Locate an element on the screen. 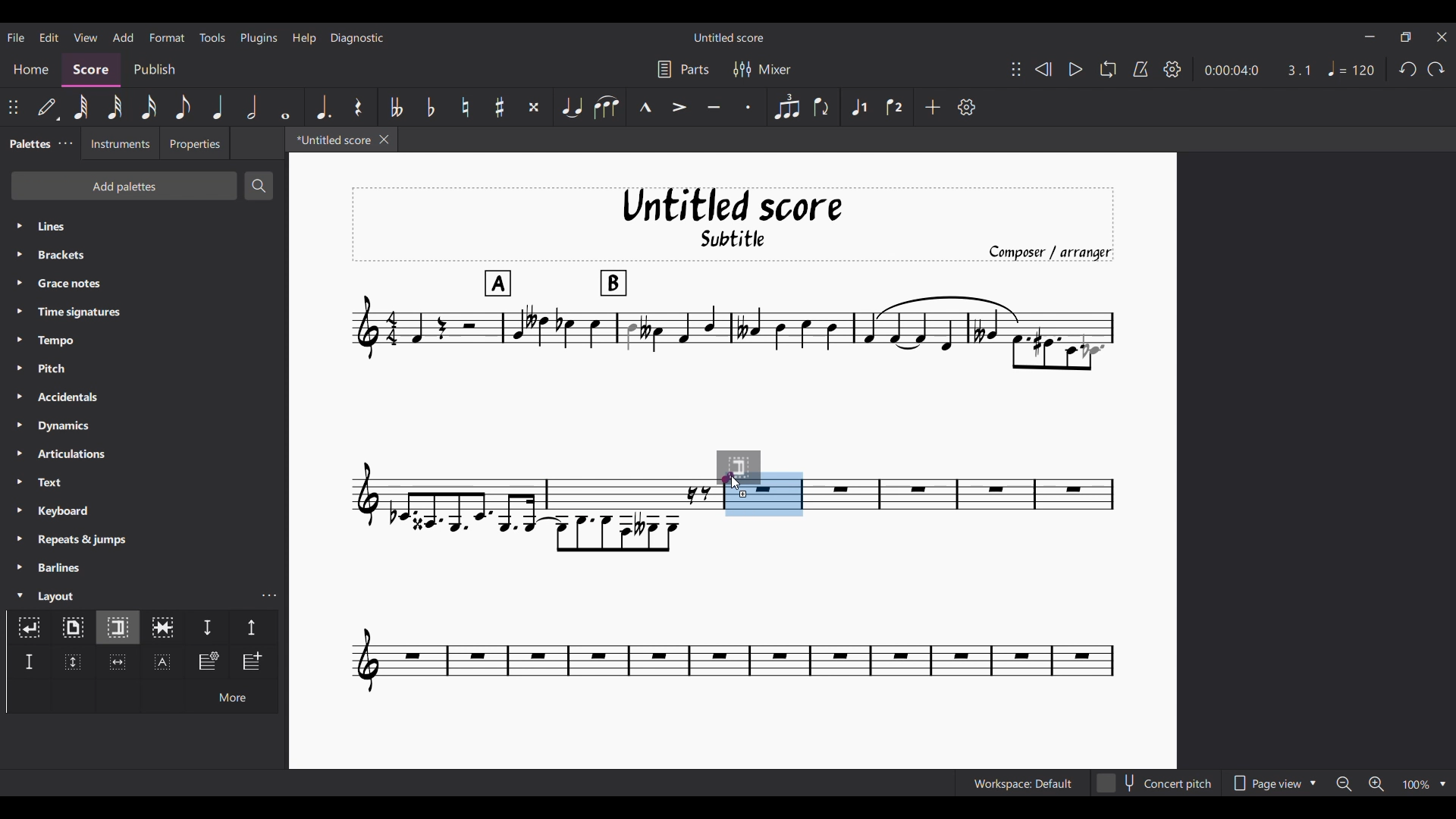 The width and height of the screenshot is (1456, 819). Customize settings is located at coordinates (967, 107).